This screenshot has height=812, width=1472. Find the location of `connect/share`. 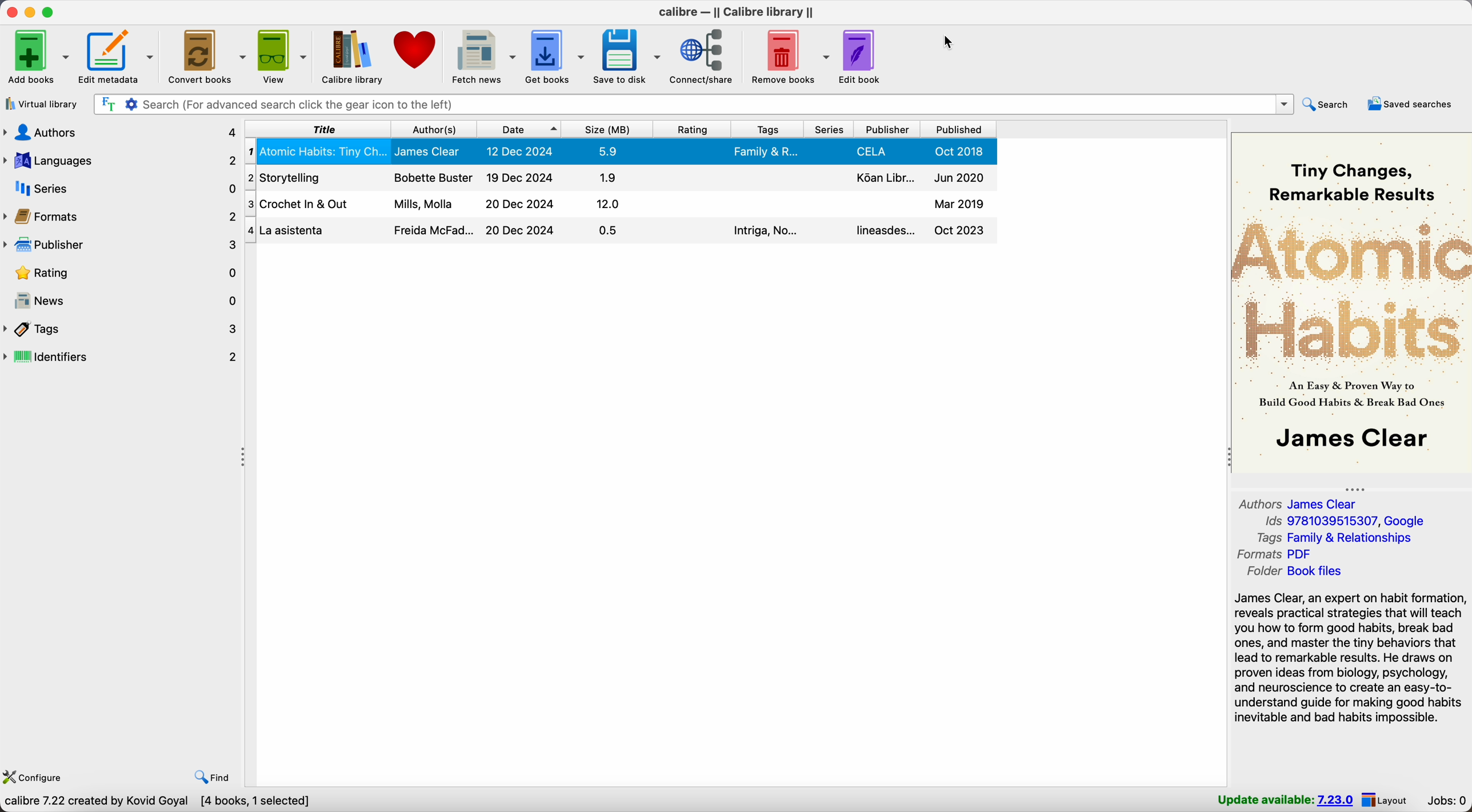

connect/share is located at coordinates (703, 58).